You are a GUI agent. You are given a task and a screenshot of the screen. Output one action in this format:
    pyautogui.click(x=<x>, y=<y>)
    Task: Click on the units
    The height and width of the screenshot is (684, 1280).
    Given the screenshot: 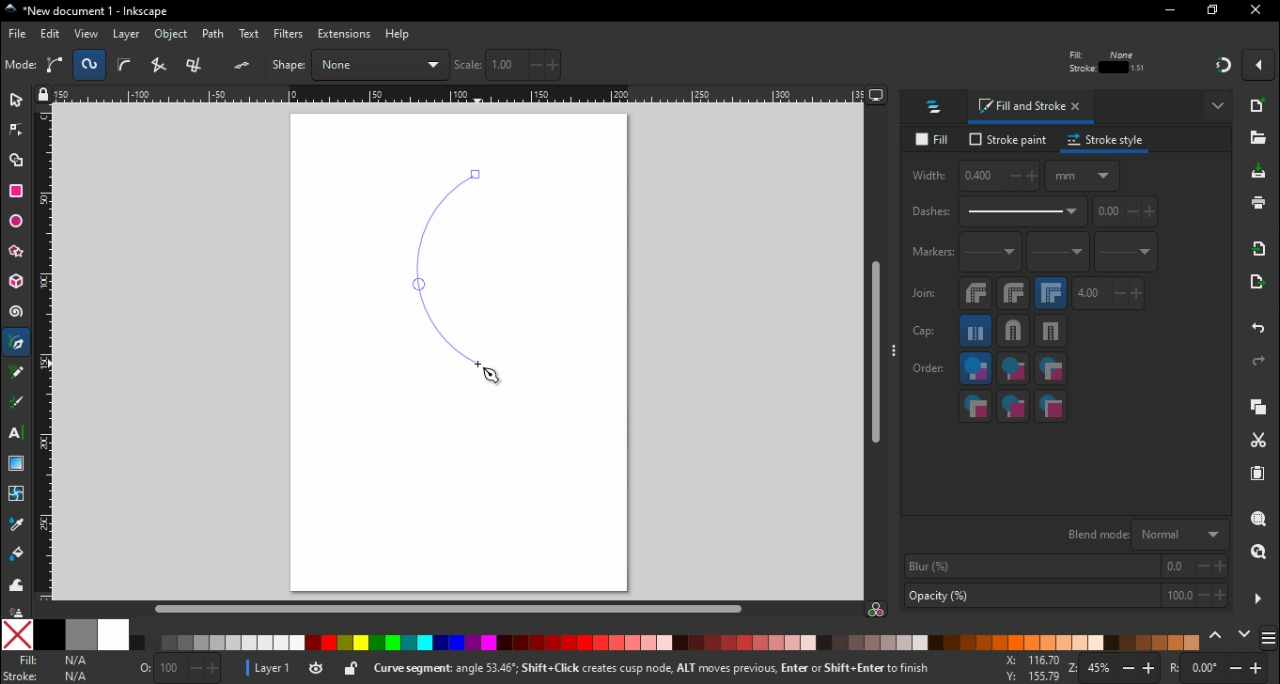 What is the action you would take?
    pyautogui.click(x=1084, y=180)
    